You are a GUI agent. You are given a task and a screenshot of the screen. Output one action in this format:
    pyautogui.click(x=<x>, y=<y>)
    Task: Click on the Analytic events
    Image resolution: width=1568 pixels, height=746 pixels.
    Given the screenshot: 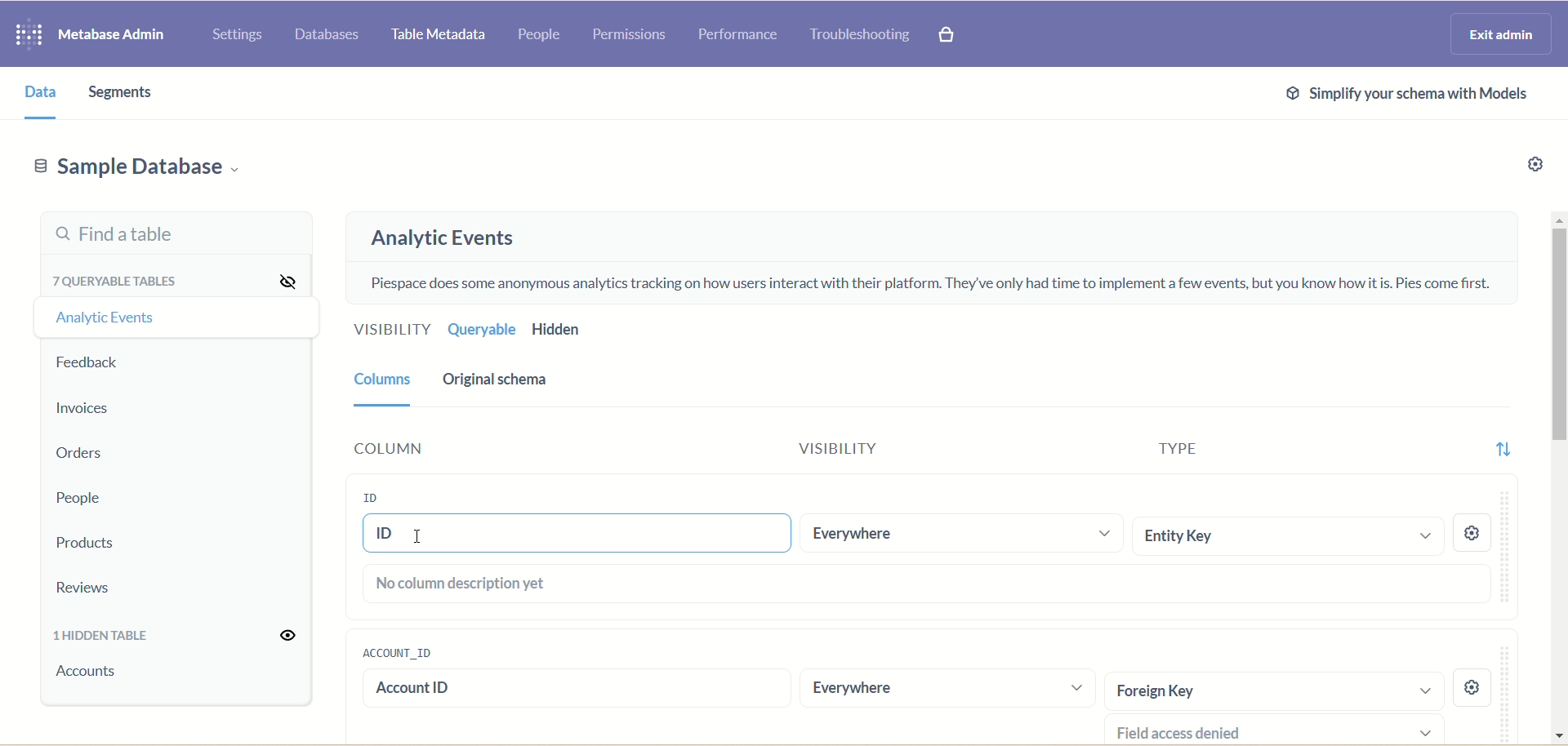 What is the action you would take?
    pyautogui.click(x=110, y=323)
    